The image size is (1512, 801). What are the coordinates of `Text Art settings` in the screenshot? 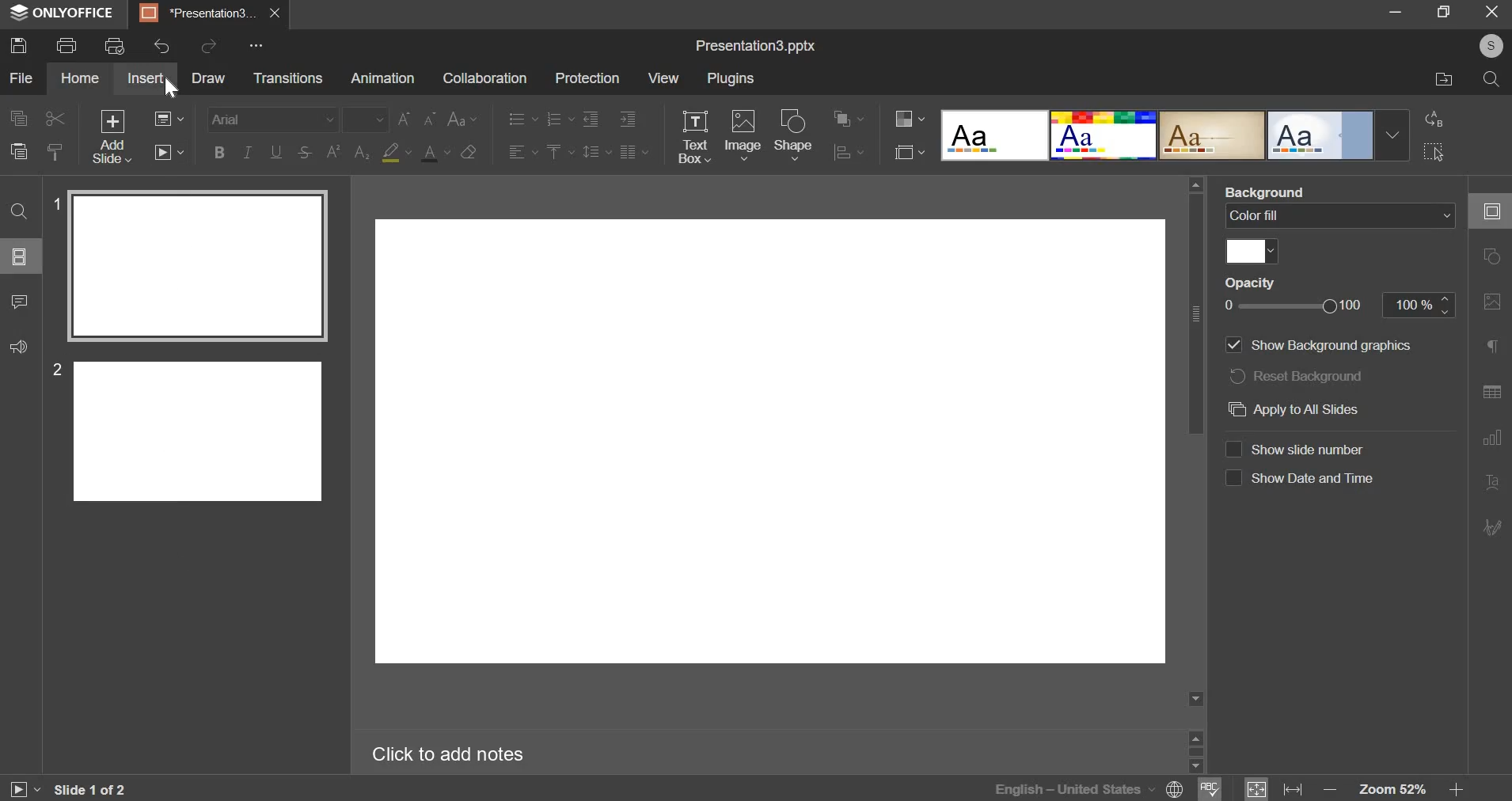 It's located at (1492, 483).